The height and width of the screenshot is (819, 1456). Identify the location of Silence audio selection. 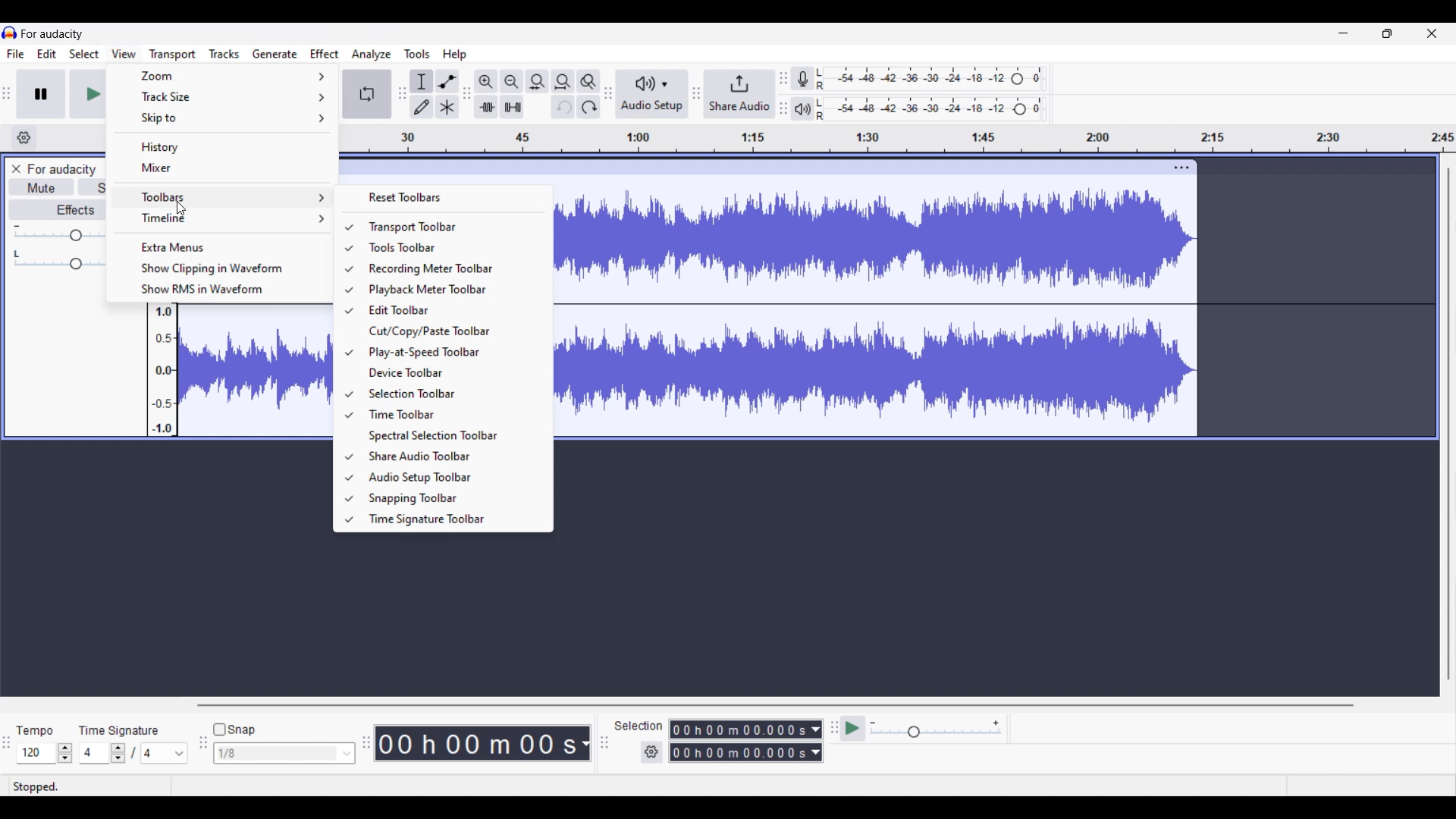
(512, 107).